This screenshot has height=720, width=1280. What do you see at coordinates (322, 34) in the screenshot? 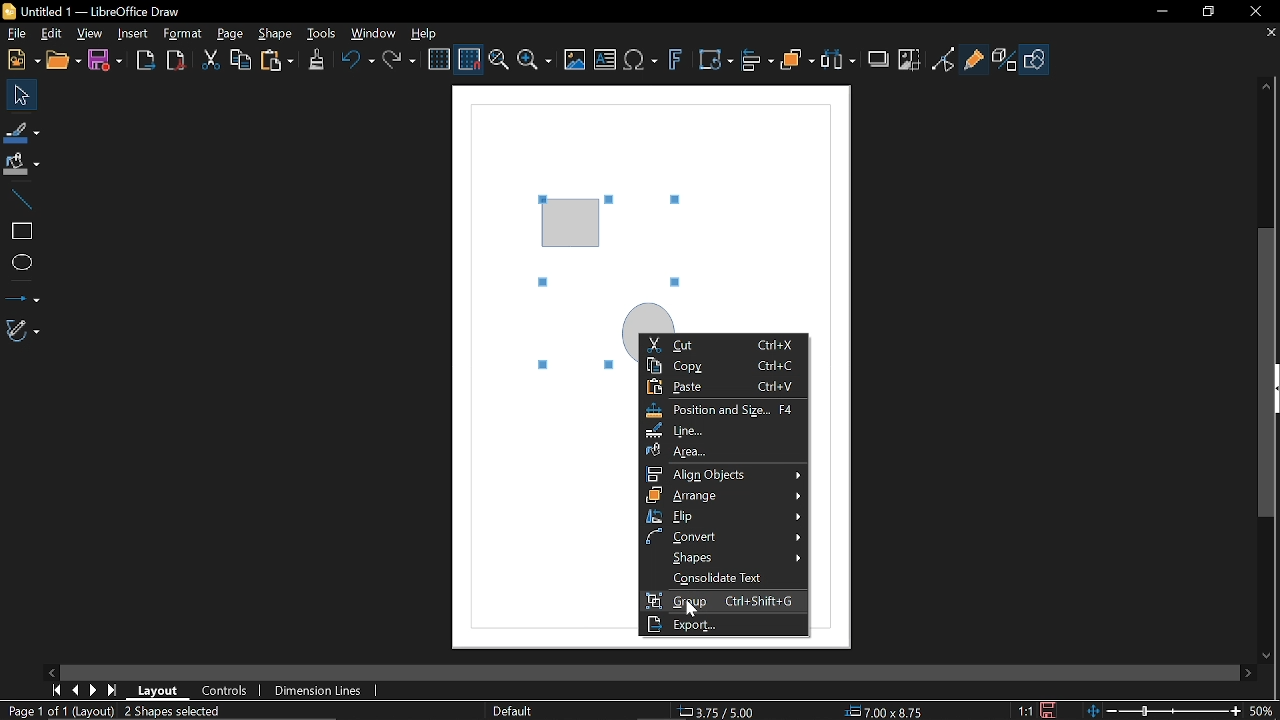
I see `Tools` at bounding box center [322, 34].